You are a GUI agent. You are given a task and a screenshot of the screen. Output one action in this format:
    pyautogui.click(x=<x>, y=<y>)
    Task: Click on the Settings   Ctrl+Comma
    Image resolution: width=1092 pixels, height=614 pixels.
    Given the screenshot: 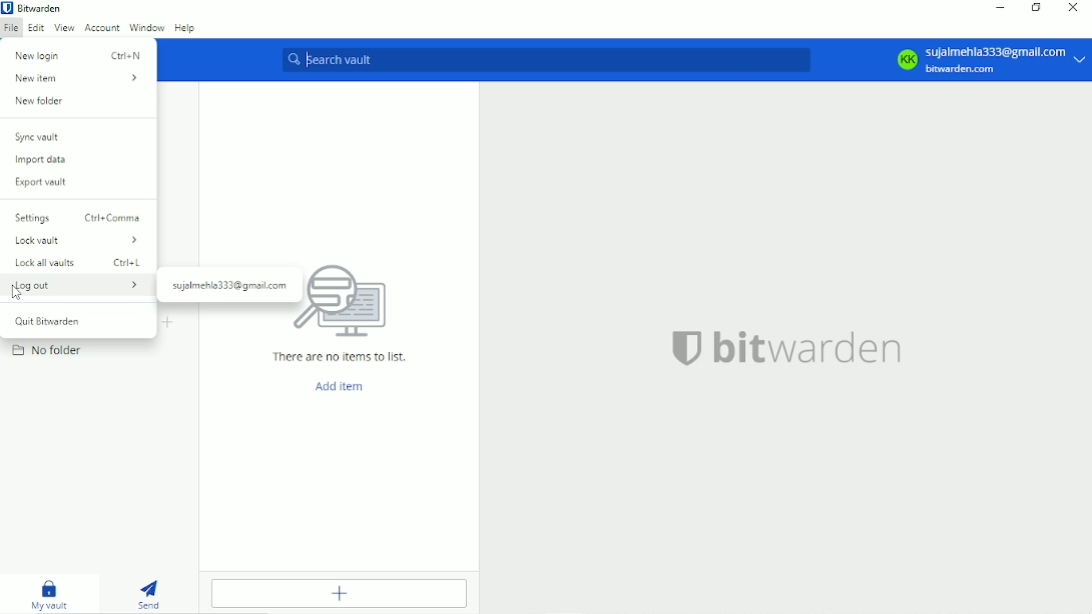 What is the action you would take?
    pyautogui.click(x=78, y=217)
    